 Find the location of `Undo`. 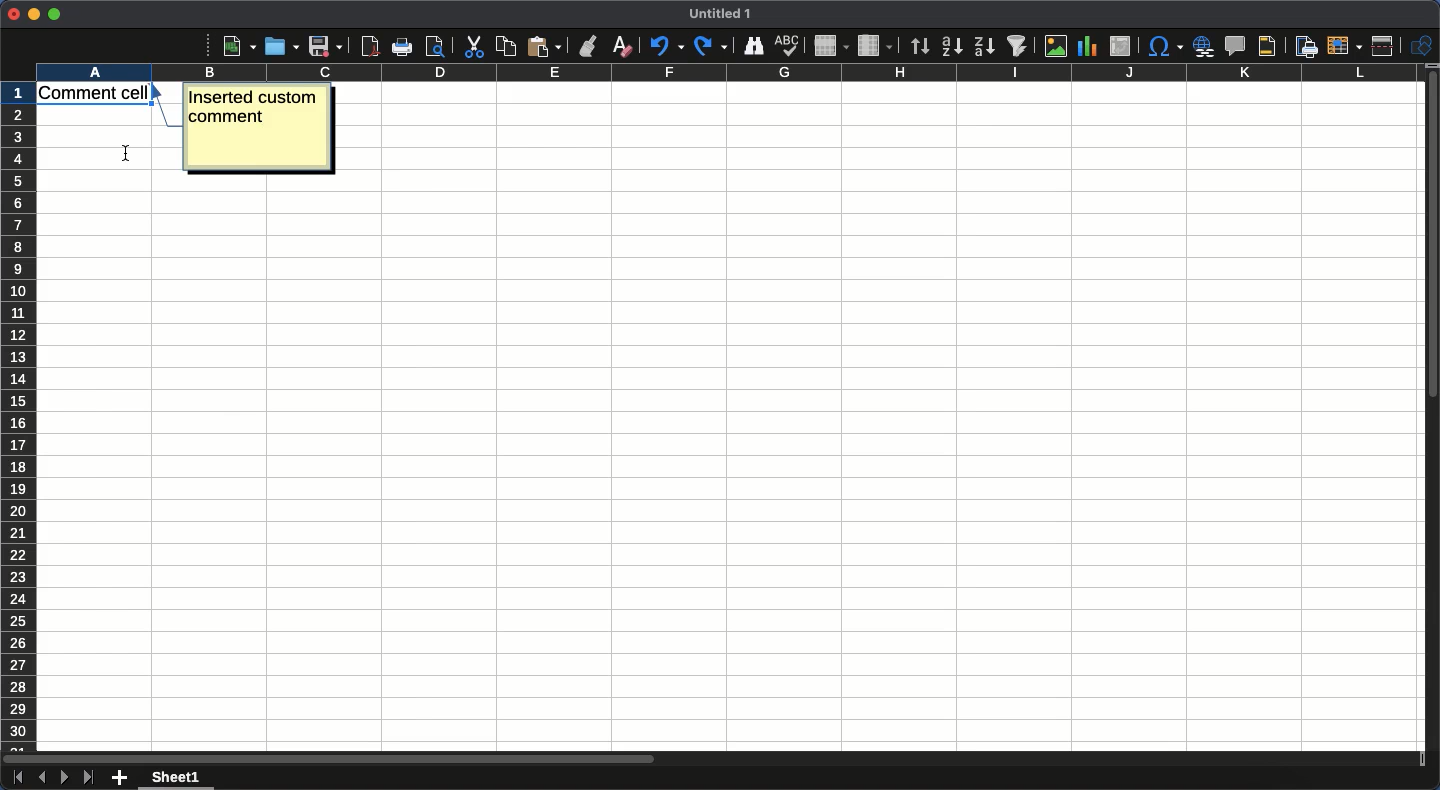

Undo is located at coordinates (666, 46).